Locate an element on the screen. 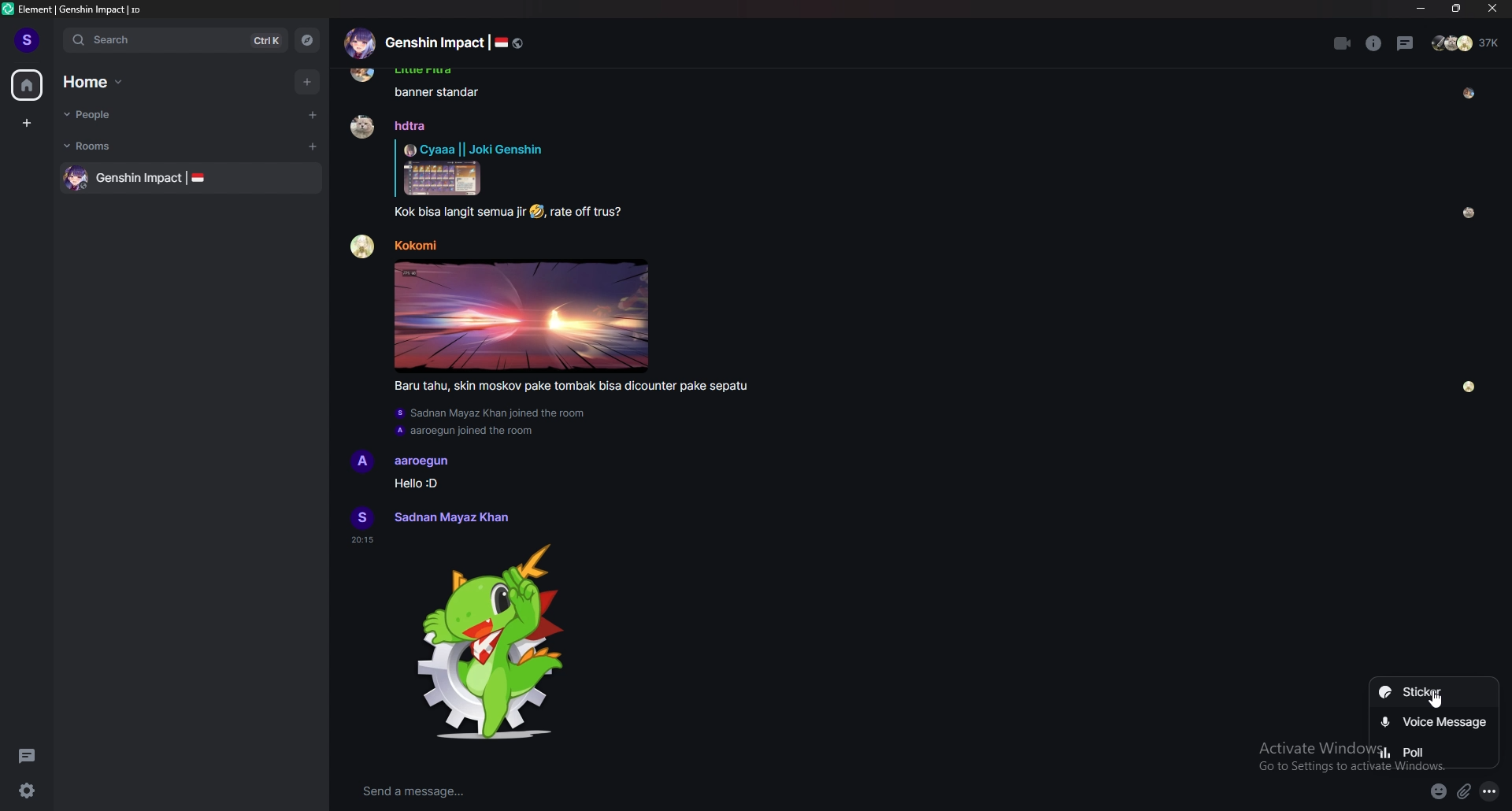 Image resolution: width=1512 pixels, height=811 pixels. home is located at coordinates (102, 82).